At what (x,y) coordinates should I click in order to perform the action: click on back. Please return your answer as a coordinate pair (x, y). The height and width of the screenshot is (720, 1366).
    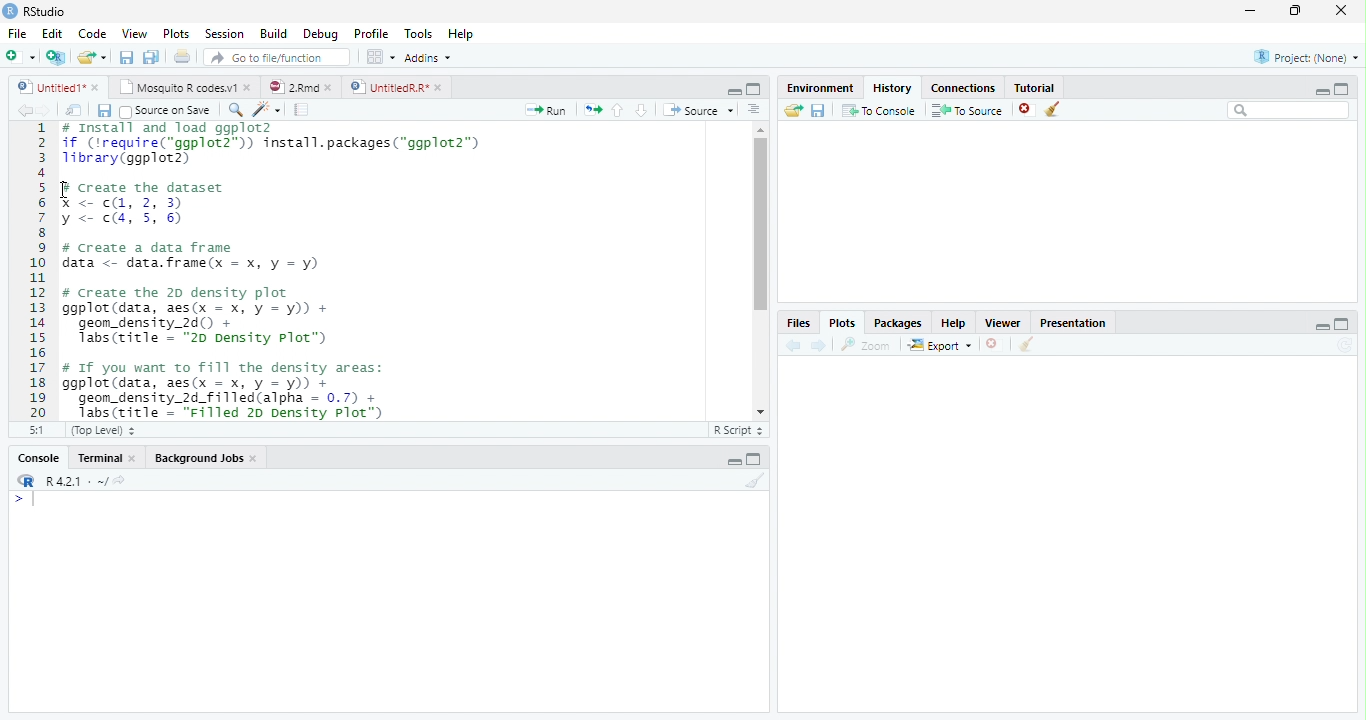
    Looking at the image, I should click on (20, 110).